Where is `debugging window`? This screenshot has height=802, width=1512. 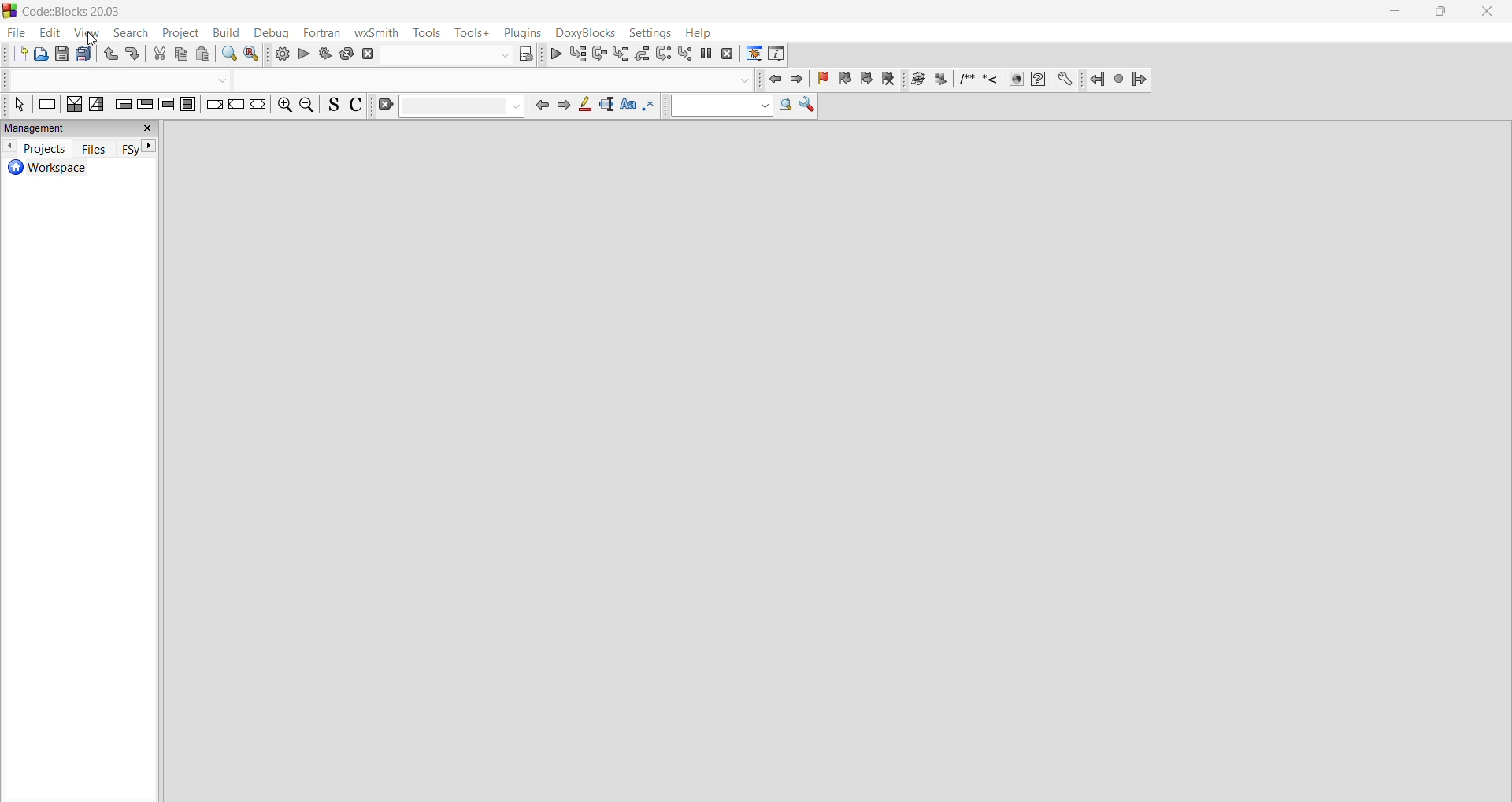 debugging window is located at coordinates (753, 53).